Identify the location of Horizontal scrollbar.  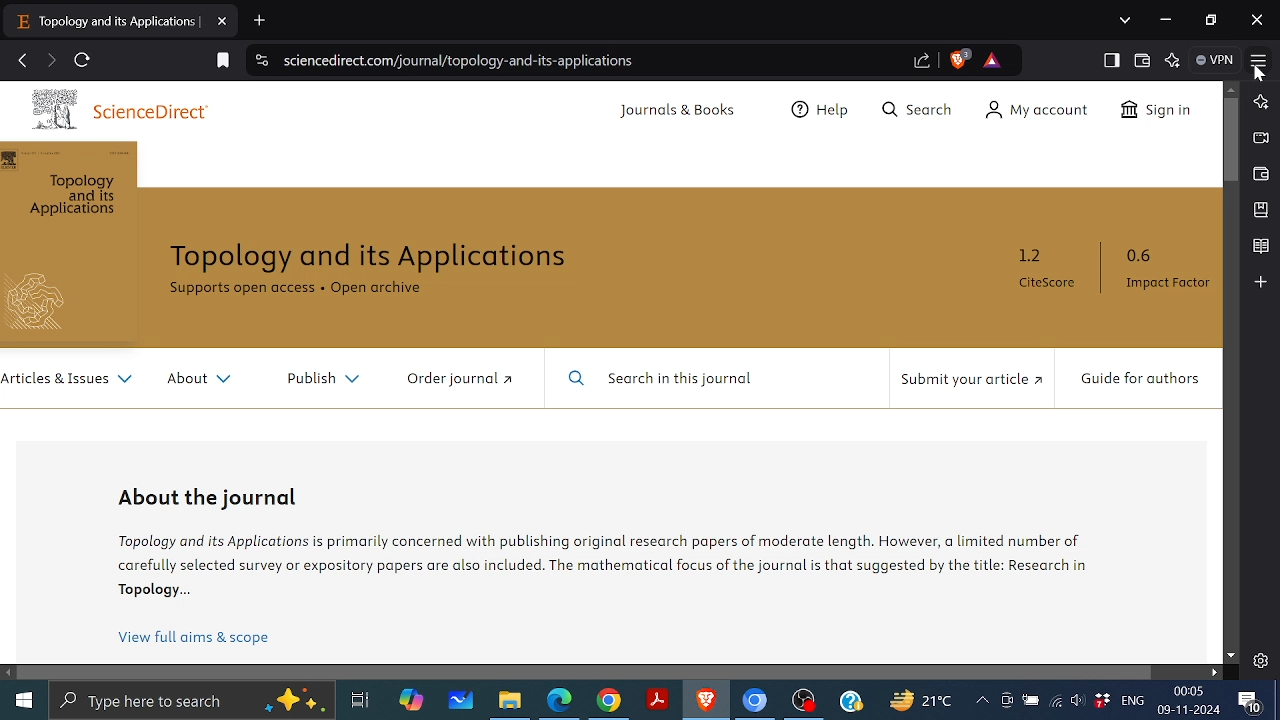
(588, 673).